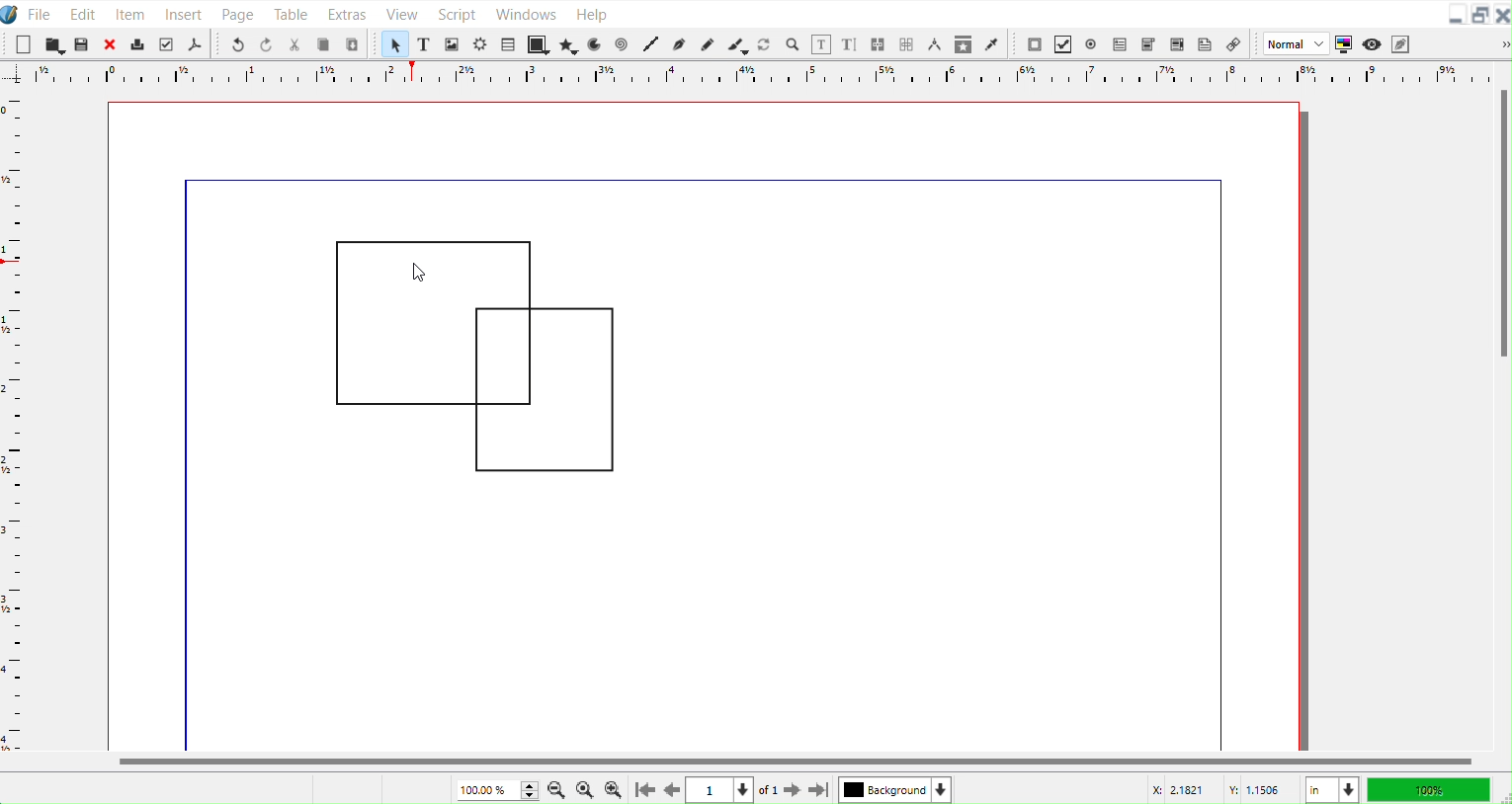  I want to click on Polygon, so click(569, 45).